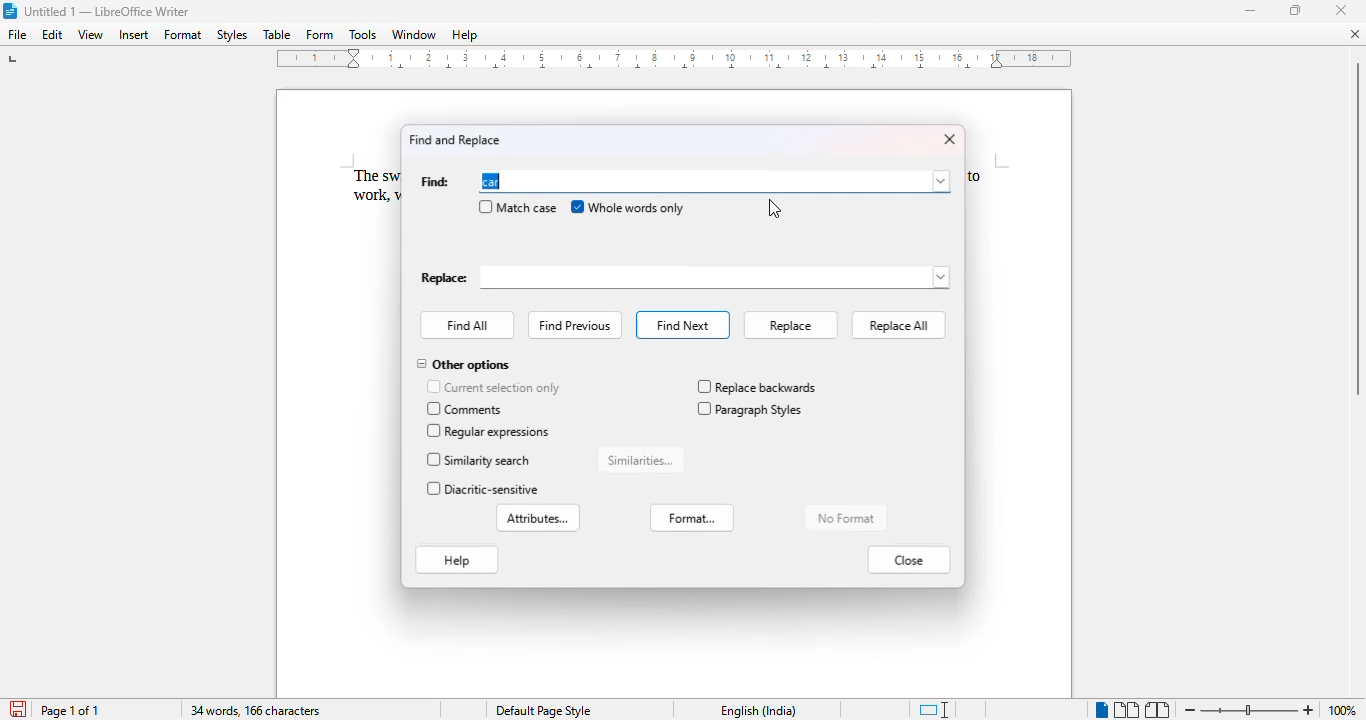  I want to click on close, so click(908, 560).